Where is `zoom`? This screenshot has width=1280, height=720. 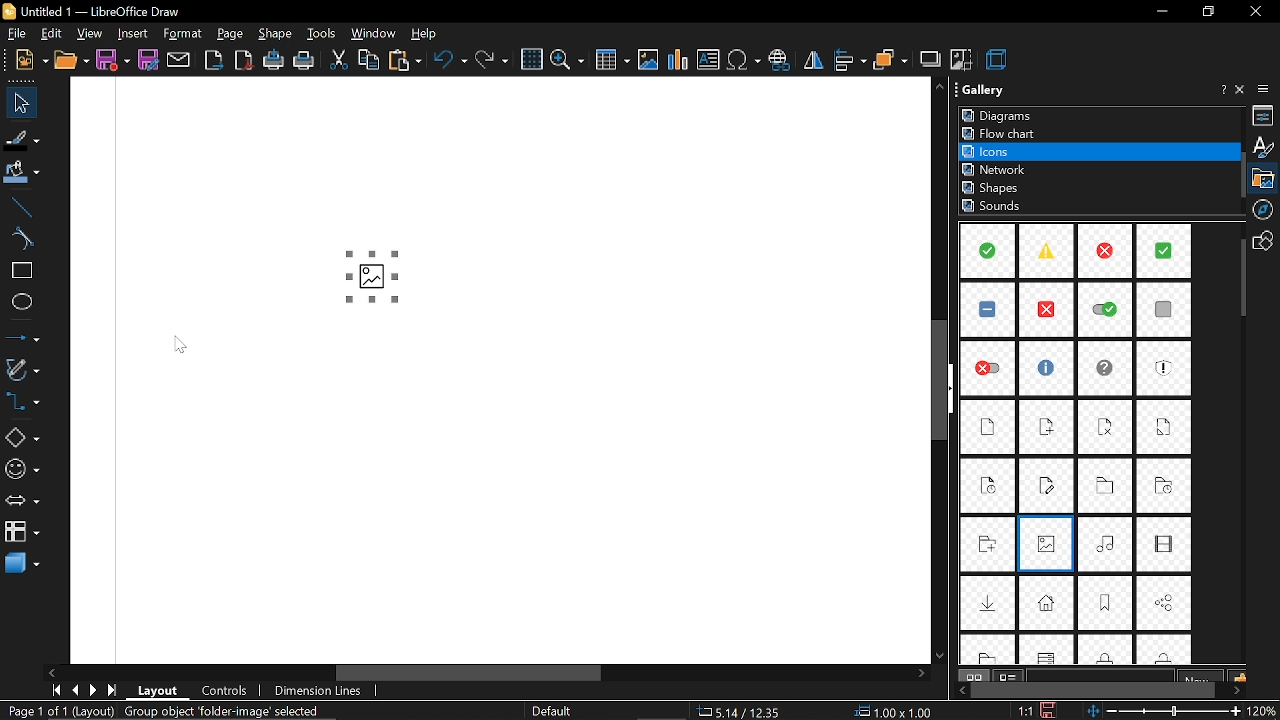
zoom is located at coordinates (567, 61).